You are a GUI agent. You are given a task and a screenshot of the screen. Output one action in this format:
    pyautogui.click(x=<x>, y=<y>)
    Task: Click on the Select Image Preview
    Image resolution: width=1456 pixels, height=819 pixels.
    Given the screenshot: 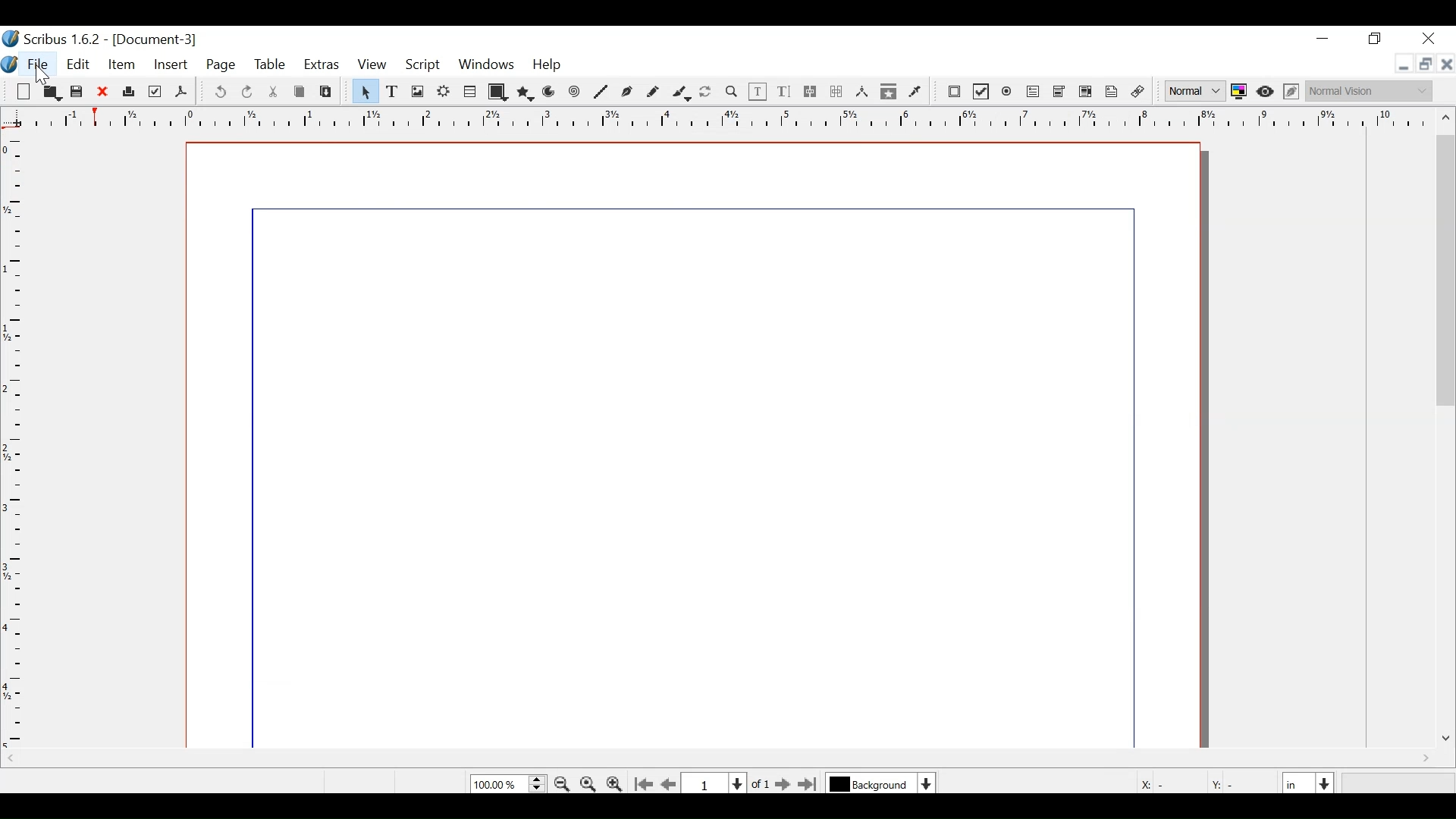 What is the action you would take?
    pyautogui.click(x=1195, y=91)
    